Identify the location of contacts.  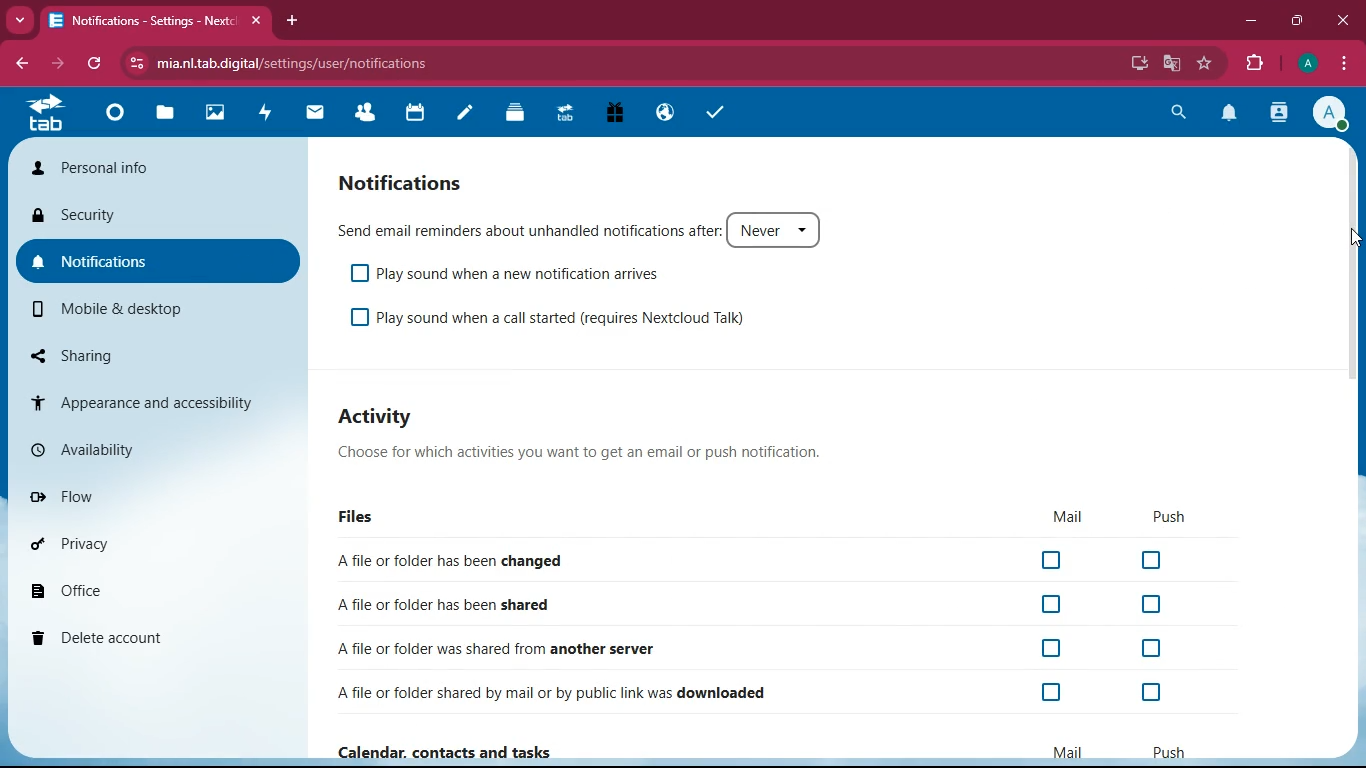
(1277, 115).